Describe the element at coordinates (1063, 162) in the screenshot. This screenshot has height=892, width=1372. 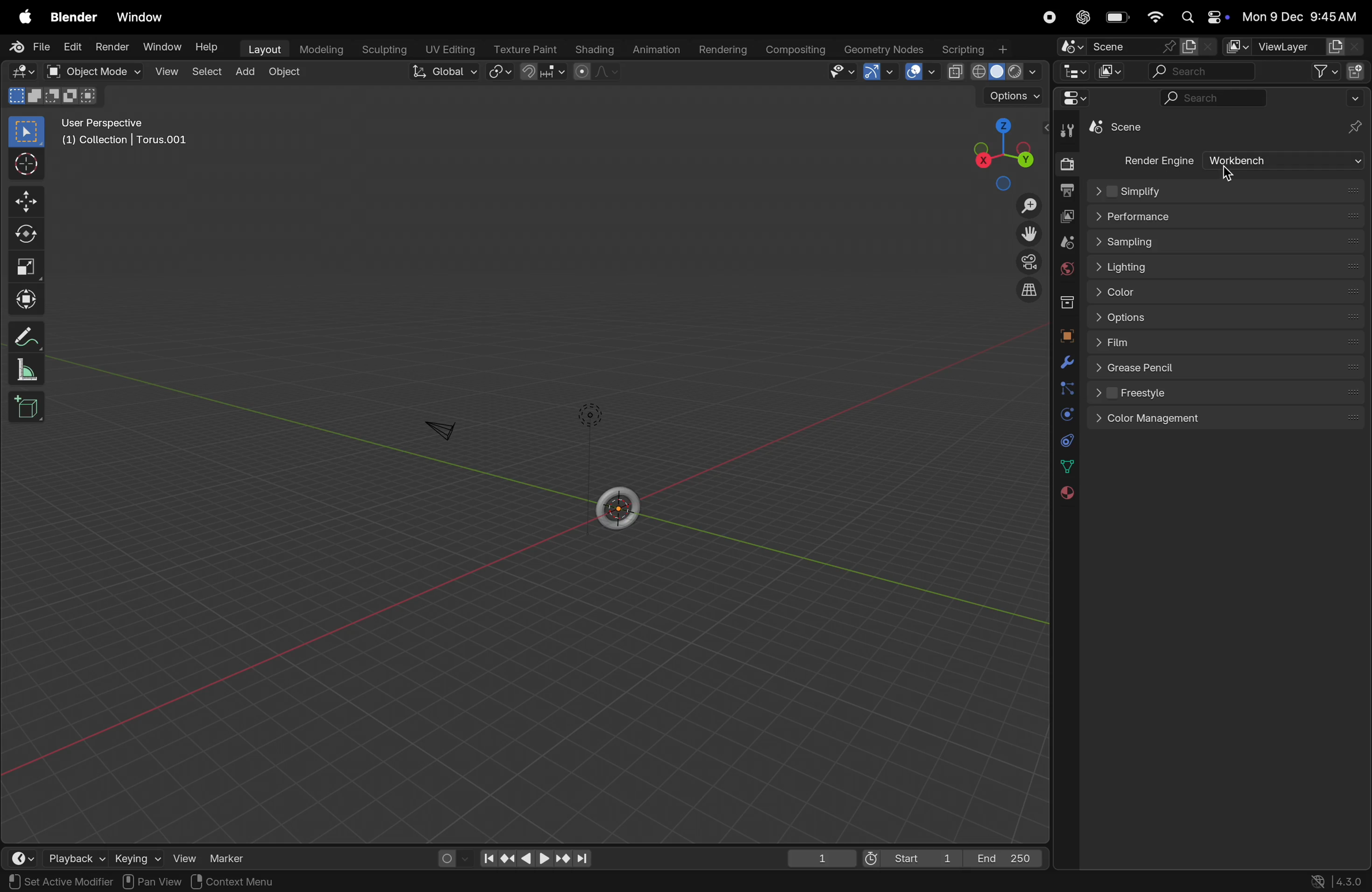
I see `render` at that location.